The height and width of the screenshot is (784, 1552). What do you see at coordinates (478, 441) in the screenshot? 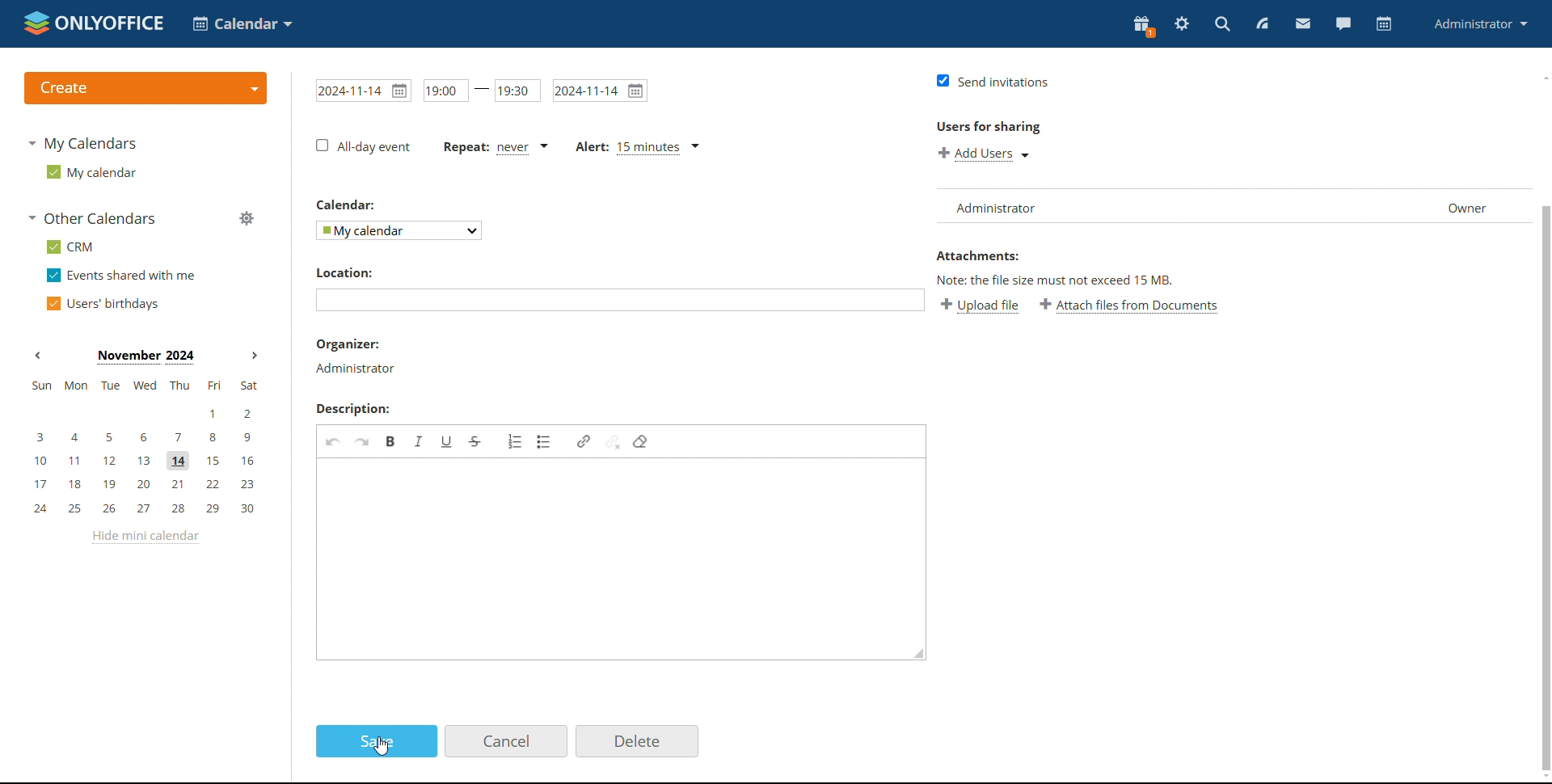
I see `strikethrough` at bounding box center [478, 441].